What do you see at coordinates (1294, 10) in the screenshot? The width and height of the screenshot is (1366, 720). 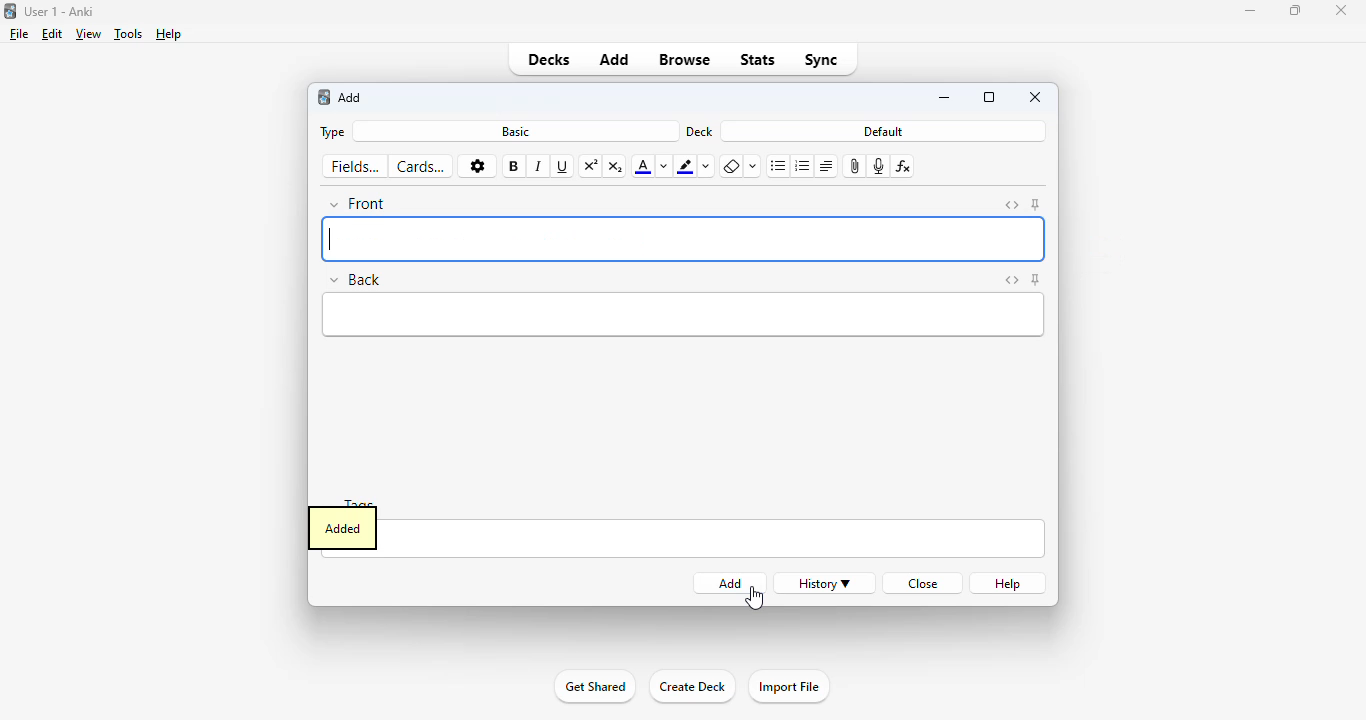 I see `maximize` at bounding box center [1294, 10].